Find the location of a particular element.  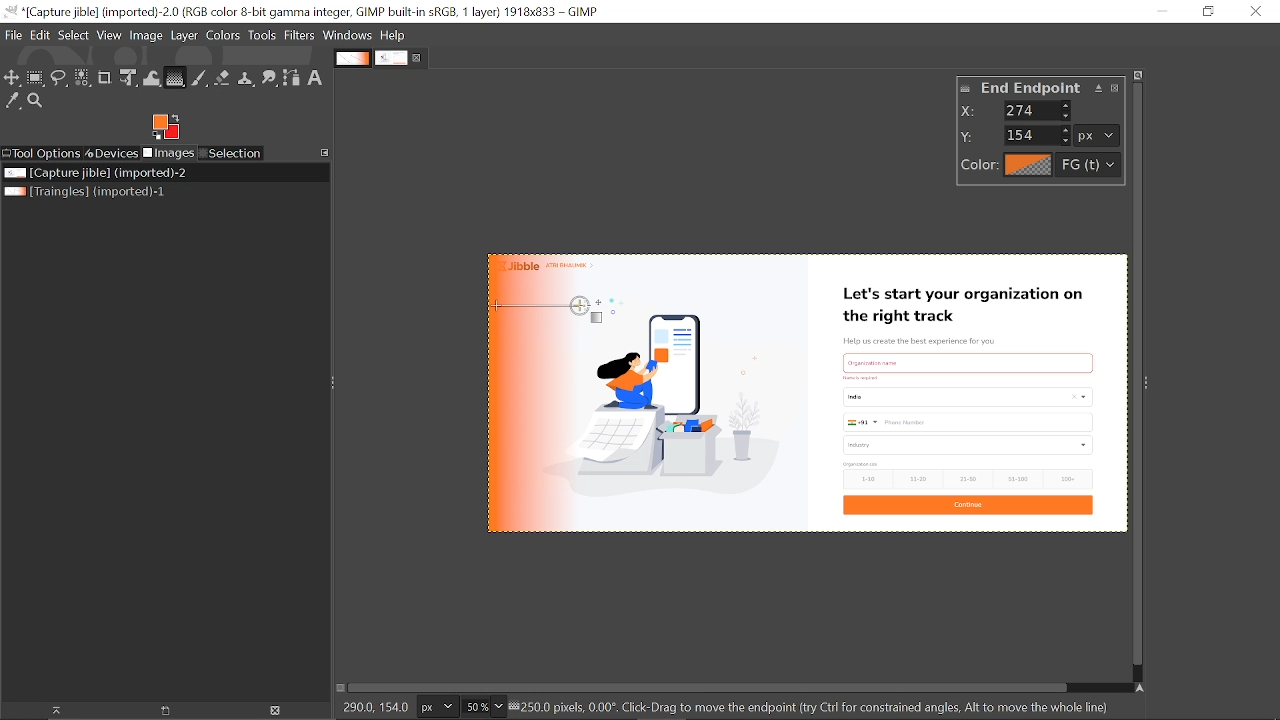

Current tab is located at coordinates (392, 58).